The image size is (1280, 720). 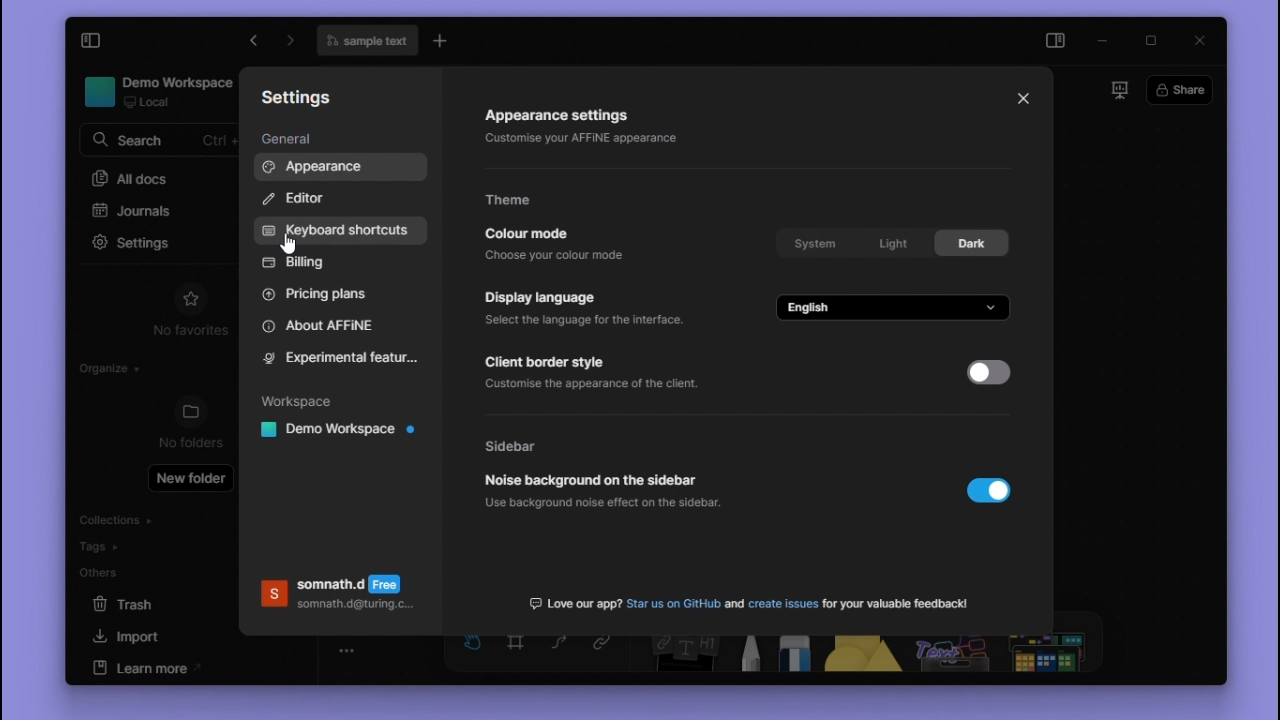 I want to click on Toggle switch, so click(x=991, y=491).